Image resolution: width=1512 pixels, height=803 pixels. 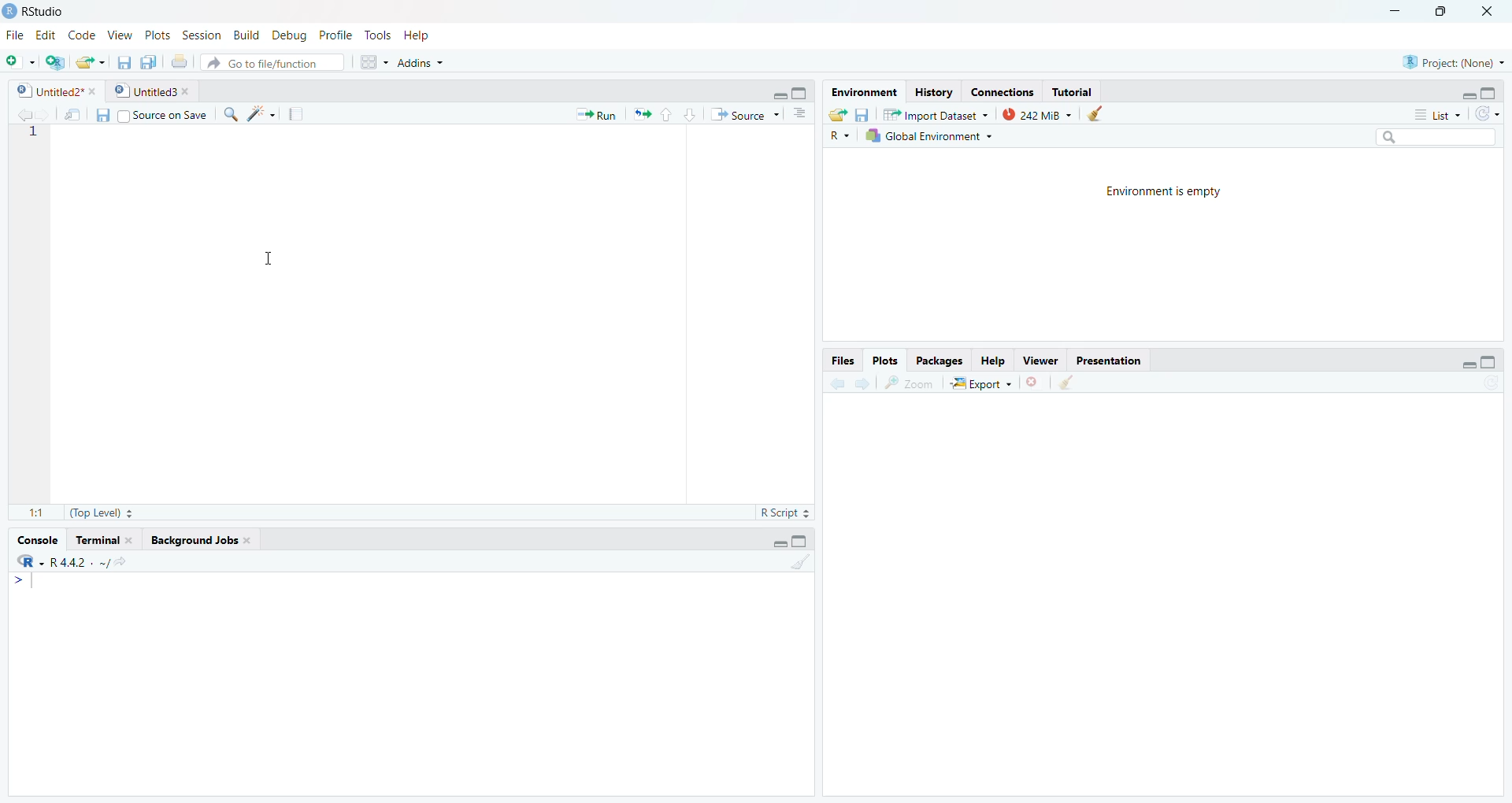 What do you see at coordinates (378, 35) in the screenshot?
I see `Tools` at bounding box center [378, 35].